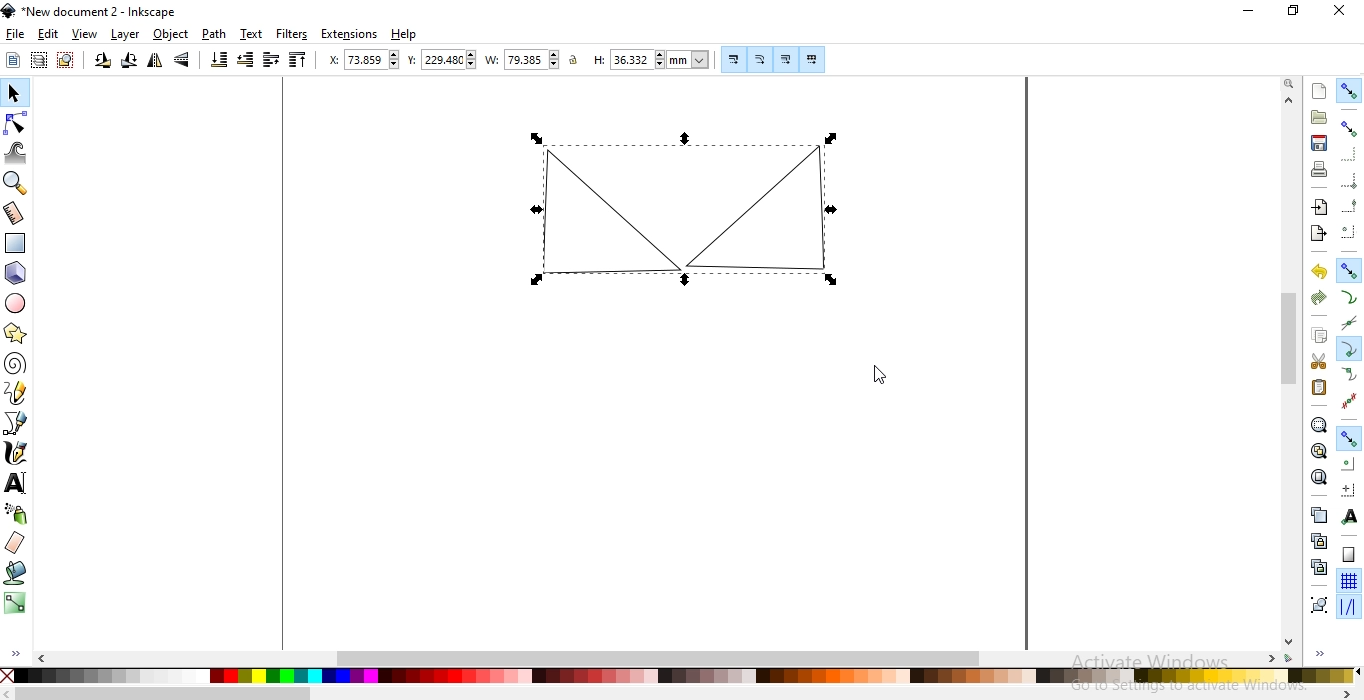  Describe the element at coordinates (1349, 271) in the screenshot. I see `snap nodes, paths and handles` at that location.